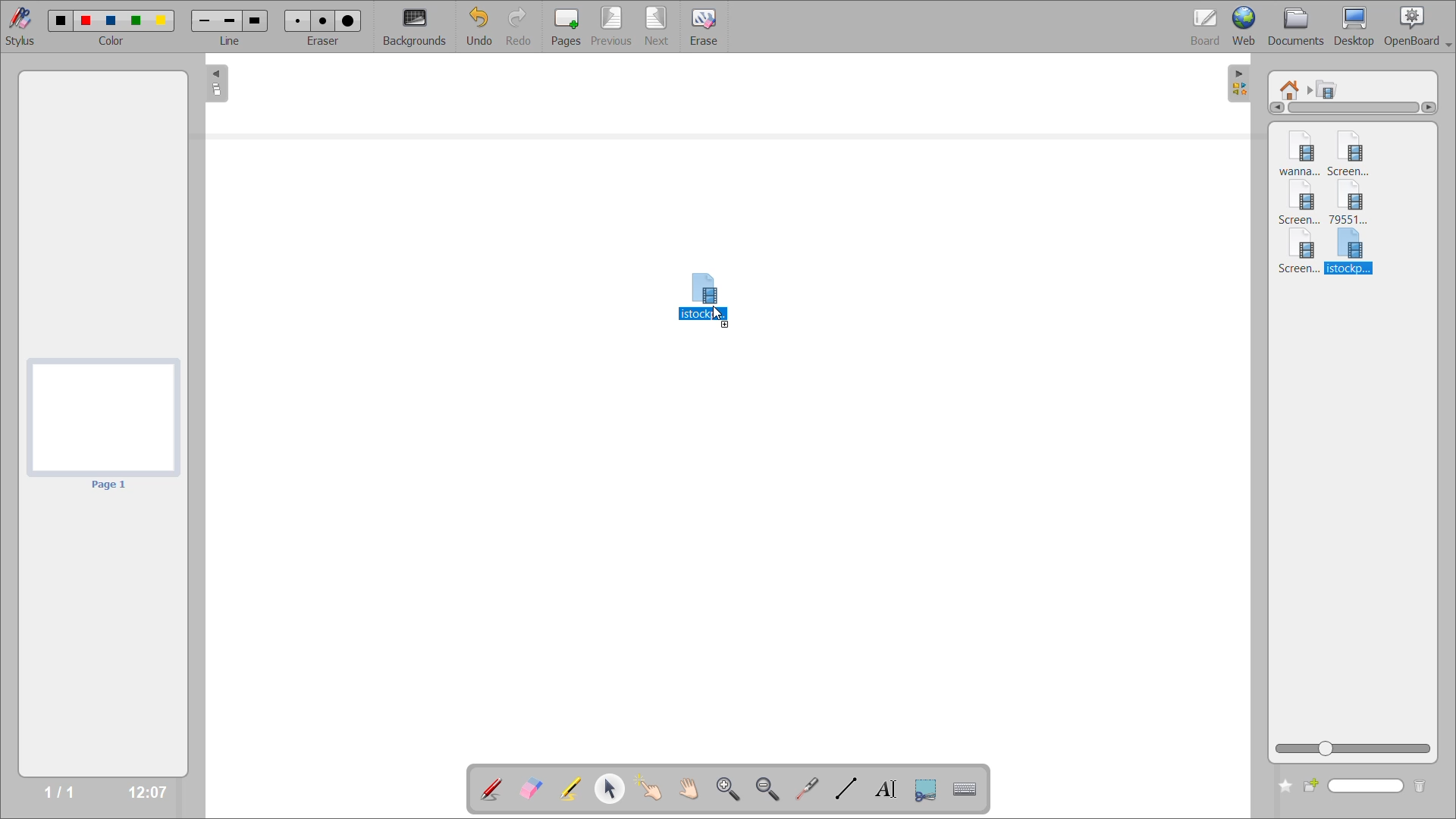  Describe the element at coordinates (562, 24) in the screenshot. I see `pages` at that location.